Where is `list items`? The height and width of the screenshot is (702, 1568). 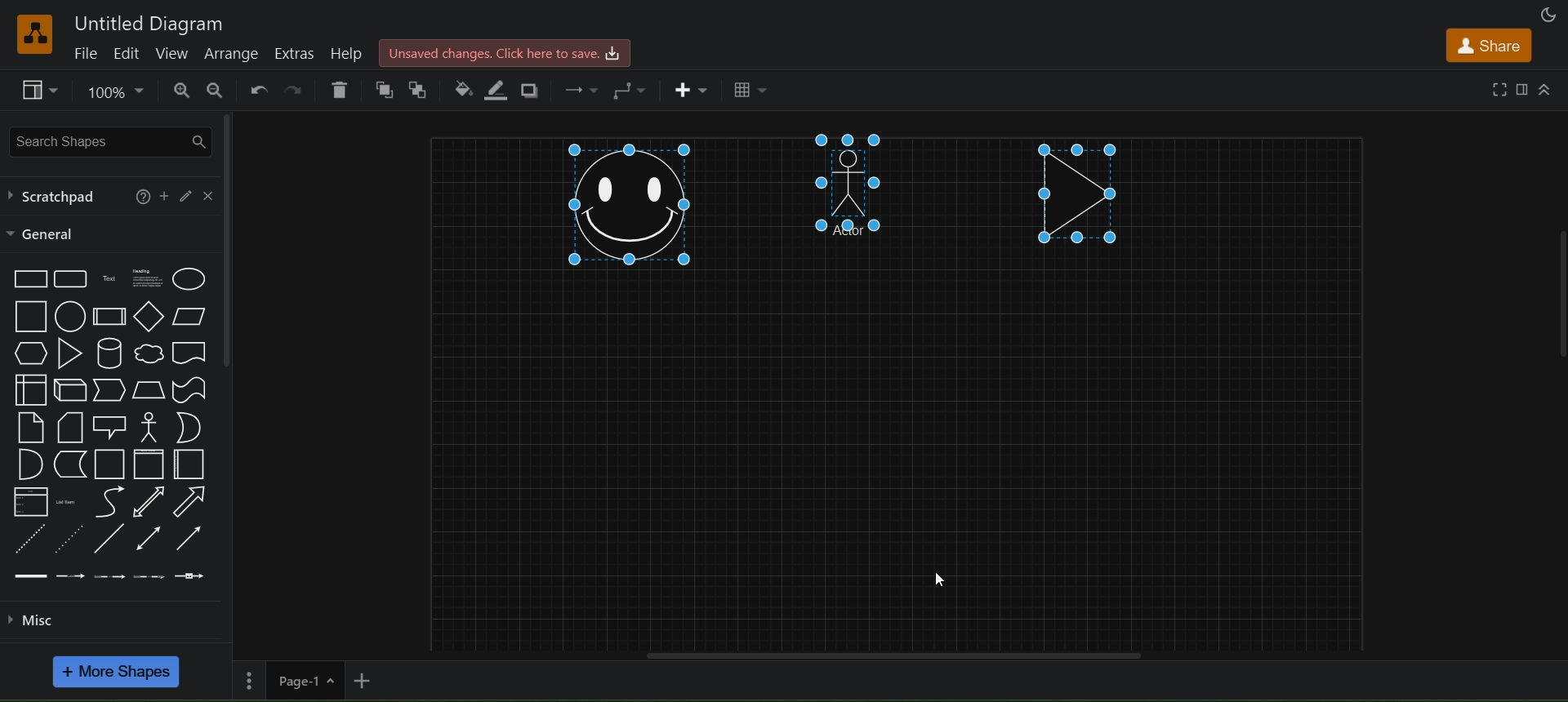
list items is located at coordinates (68, 500).